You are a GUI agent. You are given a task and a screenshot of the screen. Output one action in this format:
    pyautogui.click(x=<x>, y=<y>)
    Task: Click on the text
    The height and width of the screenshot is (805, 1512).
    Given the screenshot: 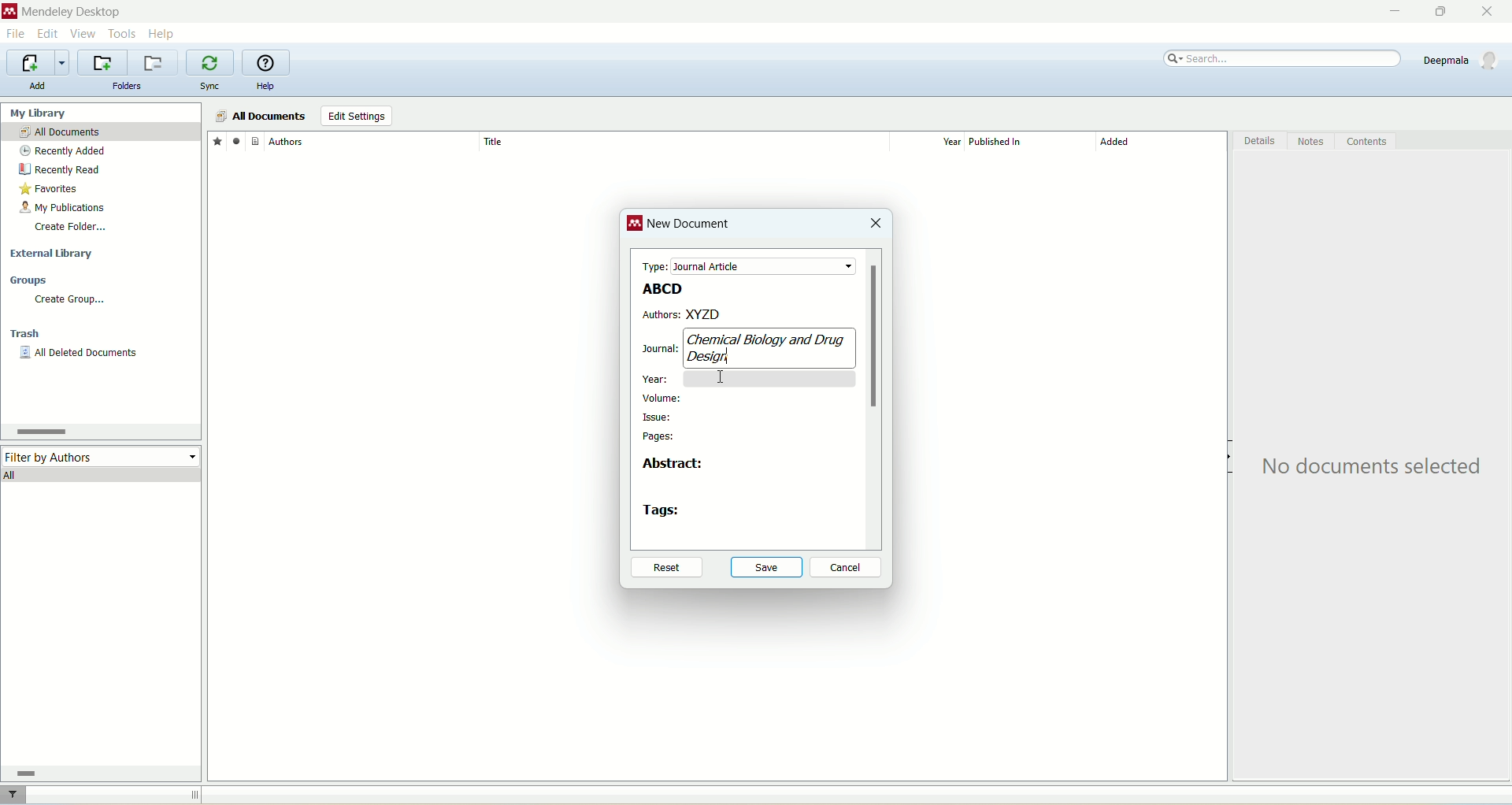 What is the action you would take?
    pyautogui.click(x=1376, y=467)
    